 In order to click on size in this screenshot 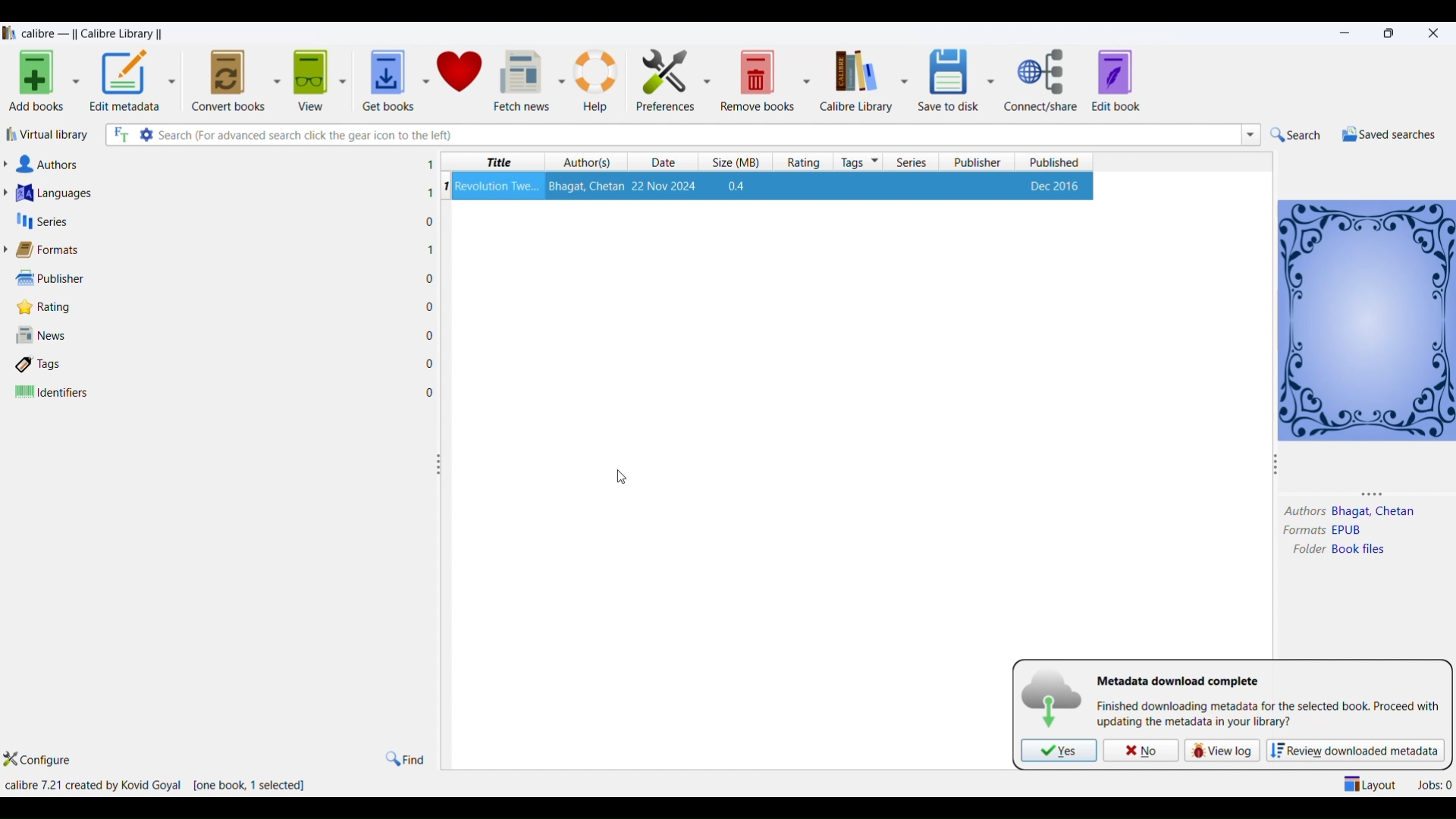, I will do `click(732, 162)`.